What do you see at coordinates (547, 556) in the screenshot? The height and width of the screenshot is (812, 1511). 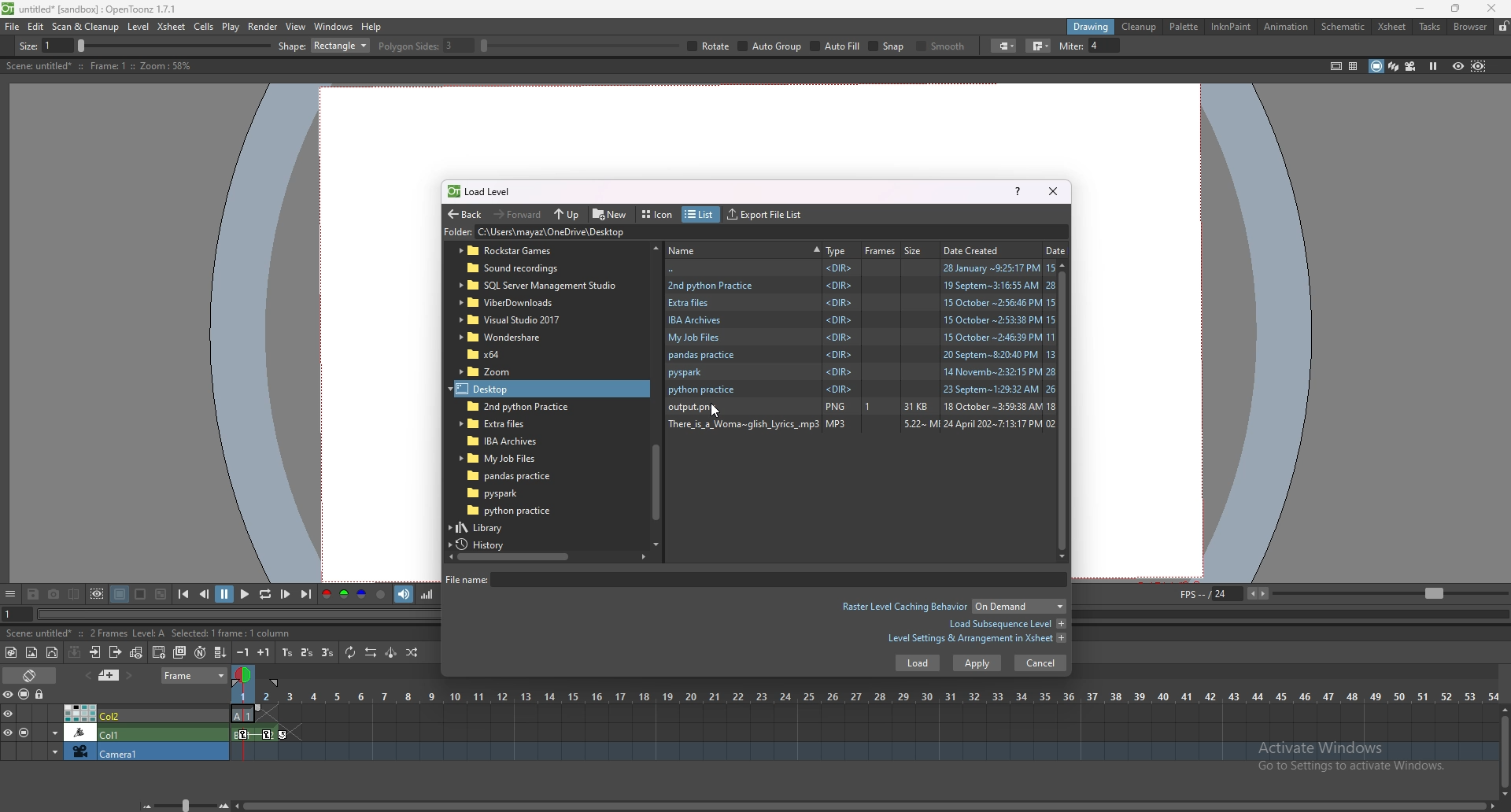 I see `scroll bar` at bounding box center [547, 556].